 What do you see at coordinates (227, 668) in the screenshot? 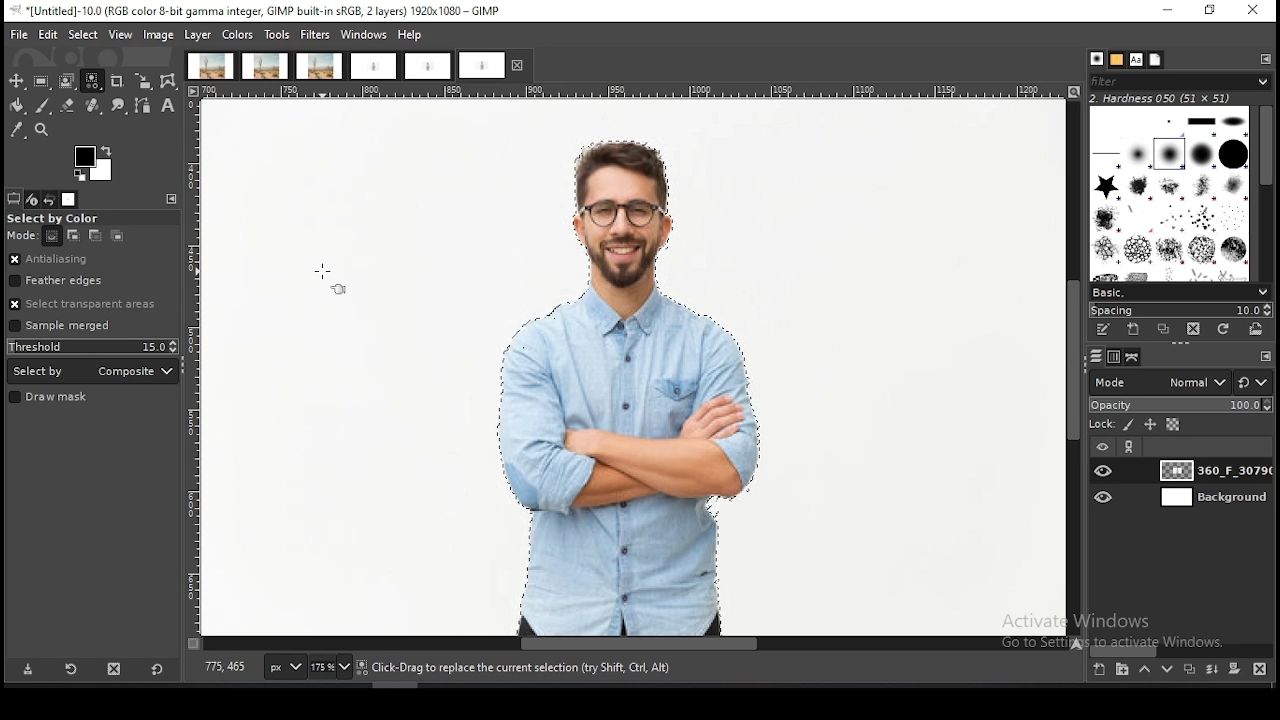
I see `775, 465` at bounding box center [227, 668].